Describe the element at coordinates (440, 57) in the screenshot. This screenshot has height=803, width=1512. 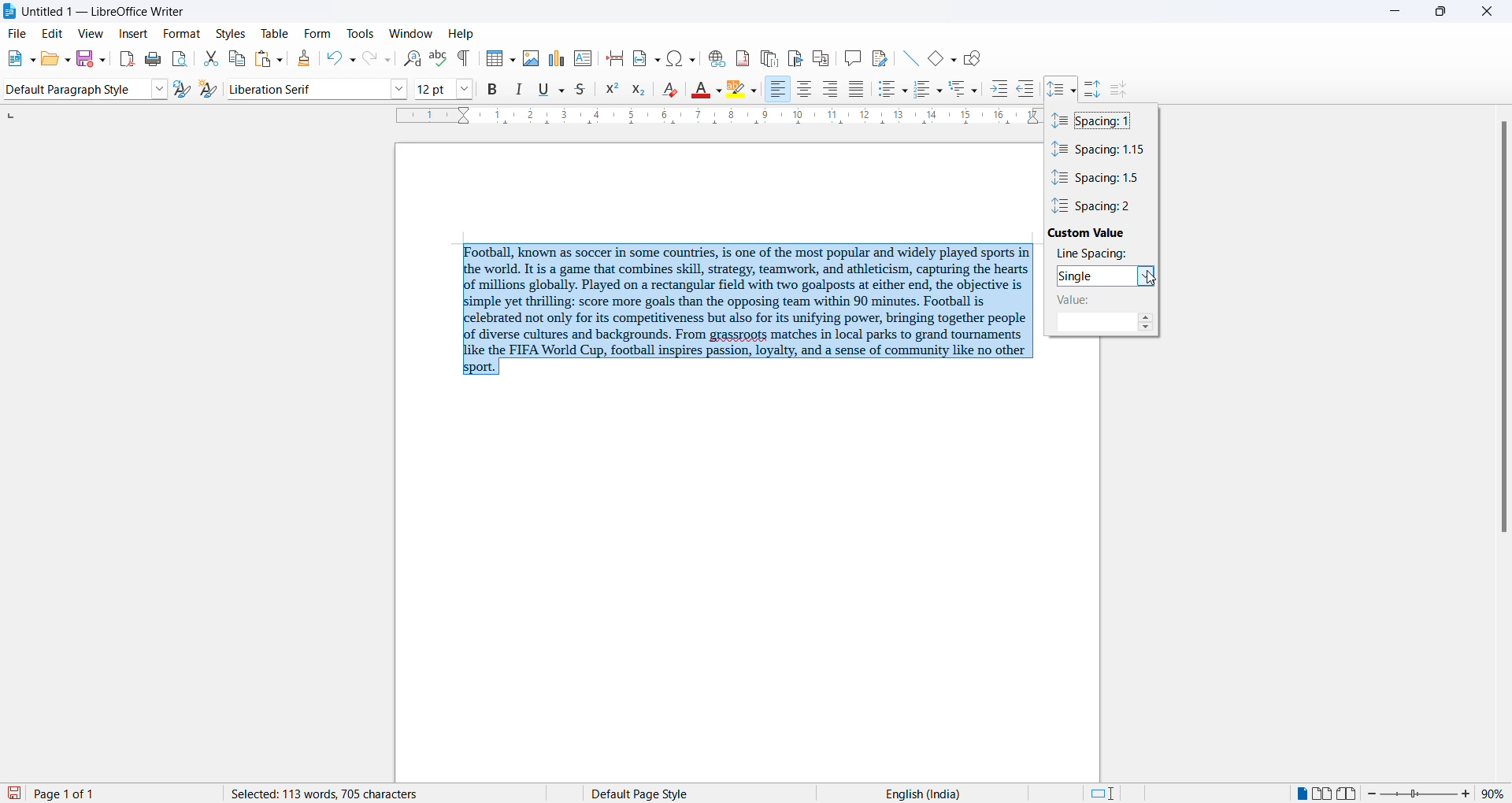
I see `spellings` at that location.